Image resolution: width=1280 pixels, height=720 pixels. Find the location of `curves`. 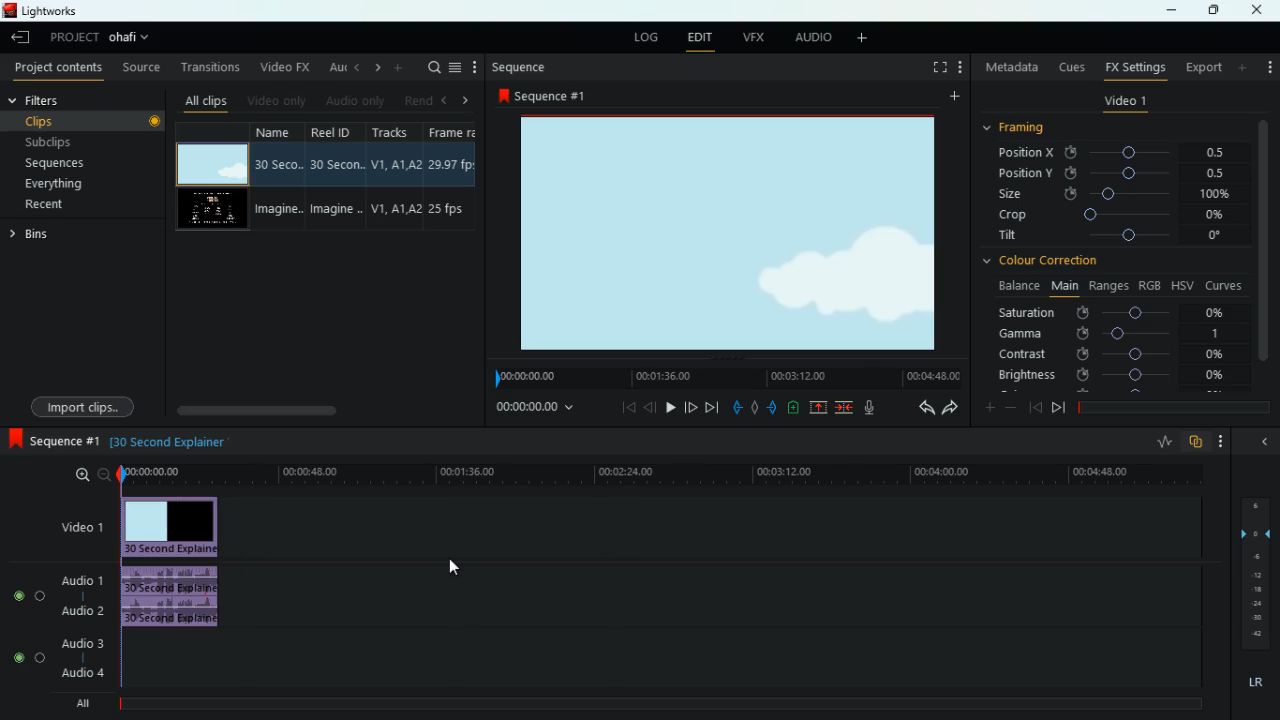

curves is located at coordinates (1224, 285).